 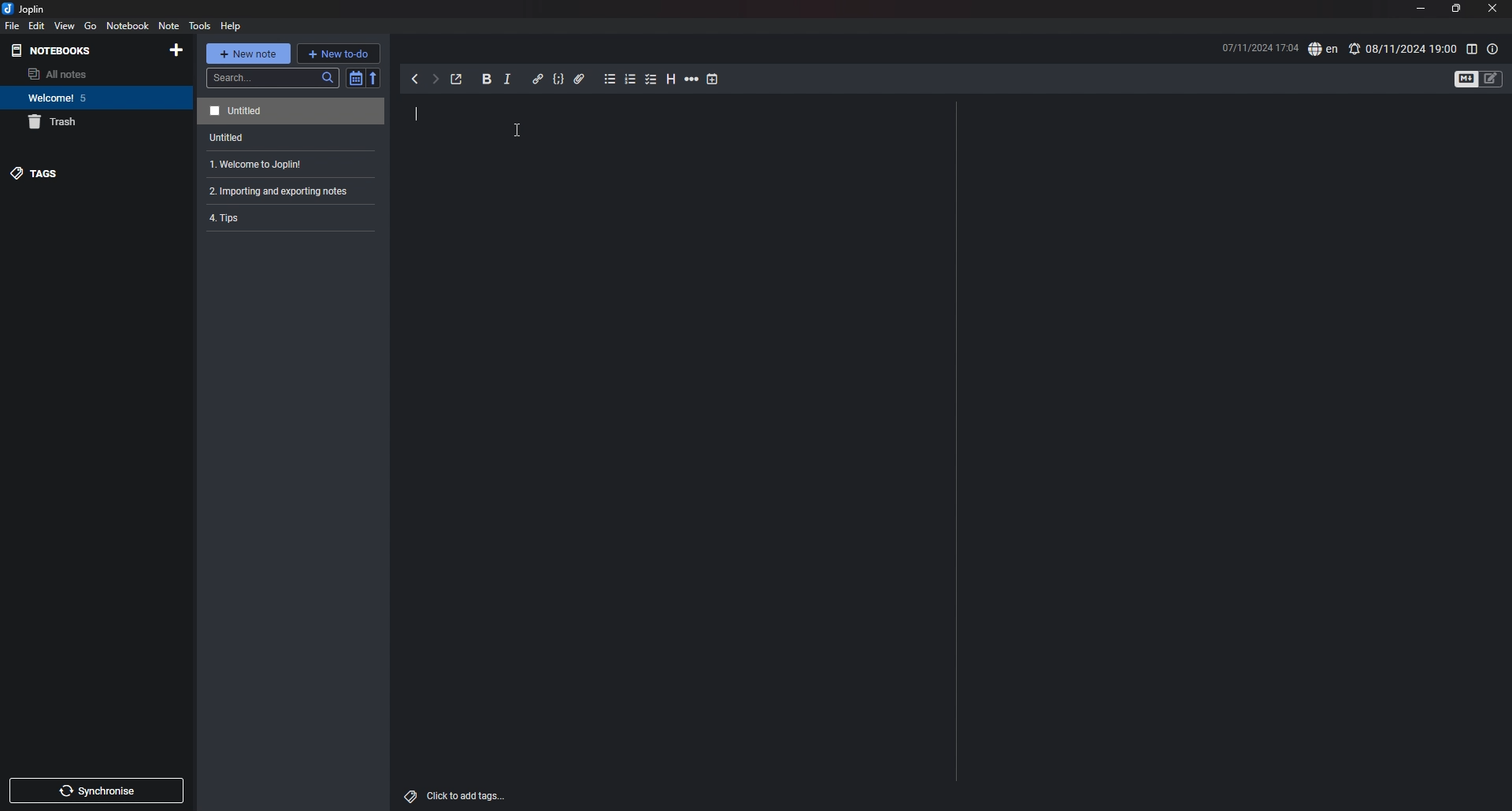 What do you see at coordinates (74, 172) in the screenshot?
I see `tags` at bounding box center [74, 172].